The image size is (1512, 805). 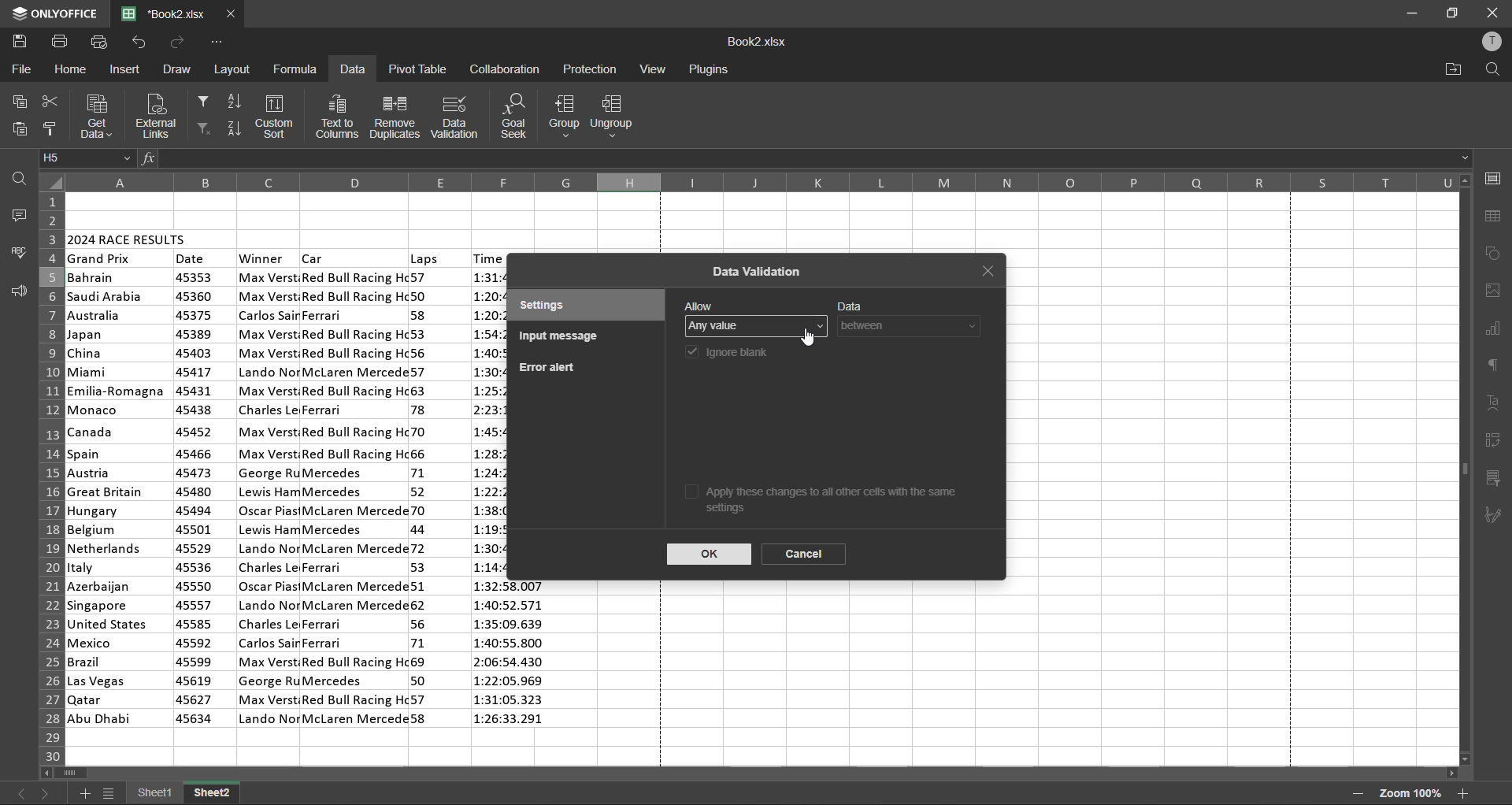 What do you see at coordinates (1497, 217) in the screenshot?
I see `table` at bounding box center [1497, 217].